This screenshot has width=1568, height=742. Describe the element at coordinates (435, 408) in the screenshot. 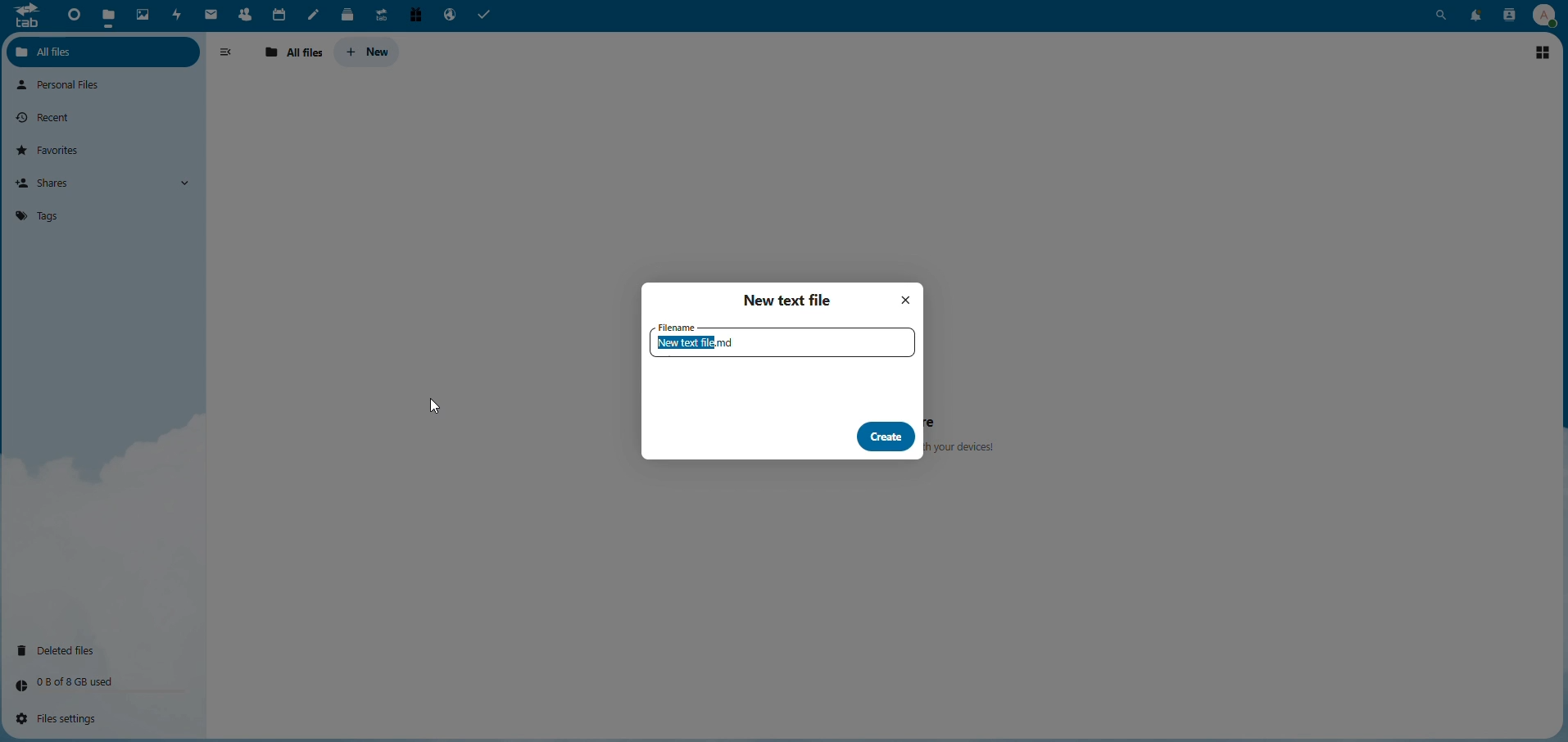

I see `Cursor` at that location.